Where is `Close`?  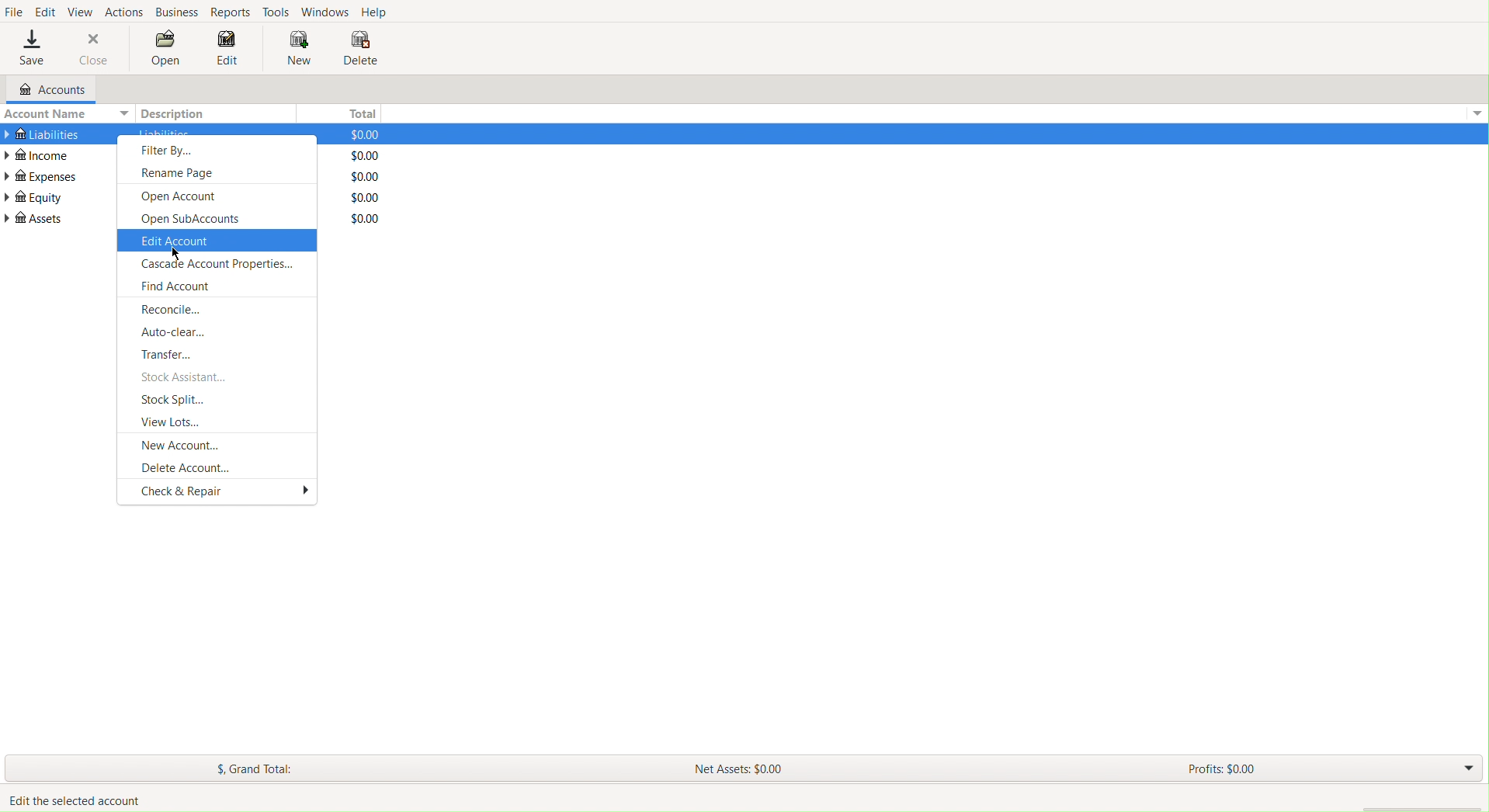 Close is located at coordinates (95, 48).